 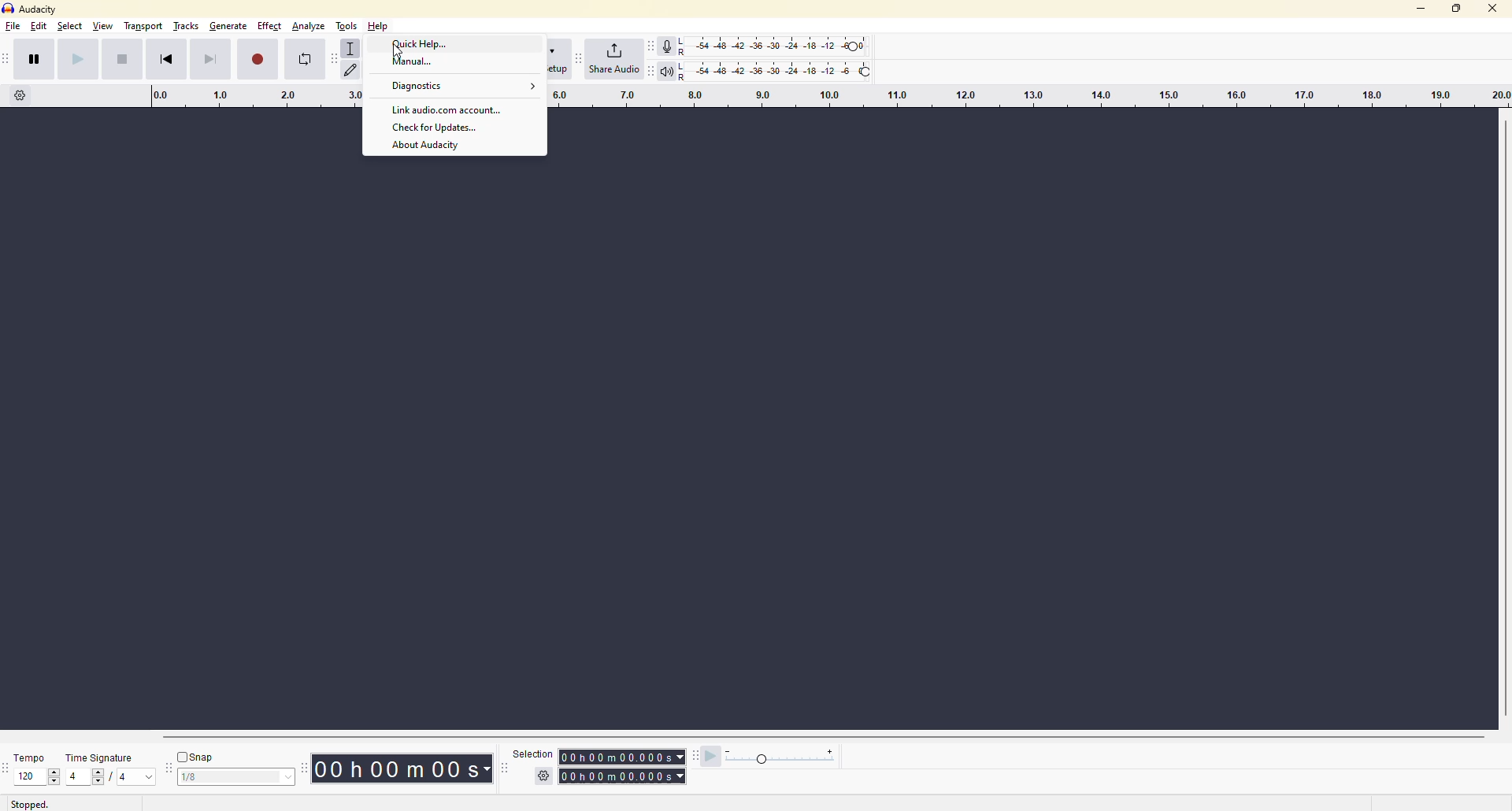 I want to click on click and drag to define a looping region, so click(x=239, y=97).